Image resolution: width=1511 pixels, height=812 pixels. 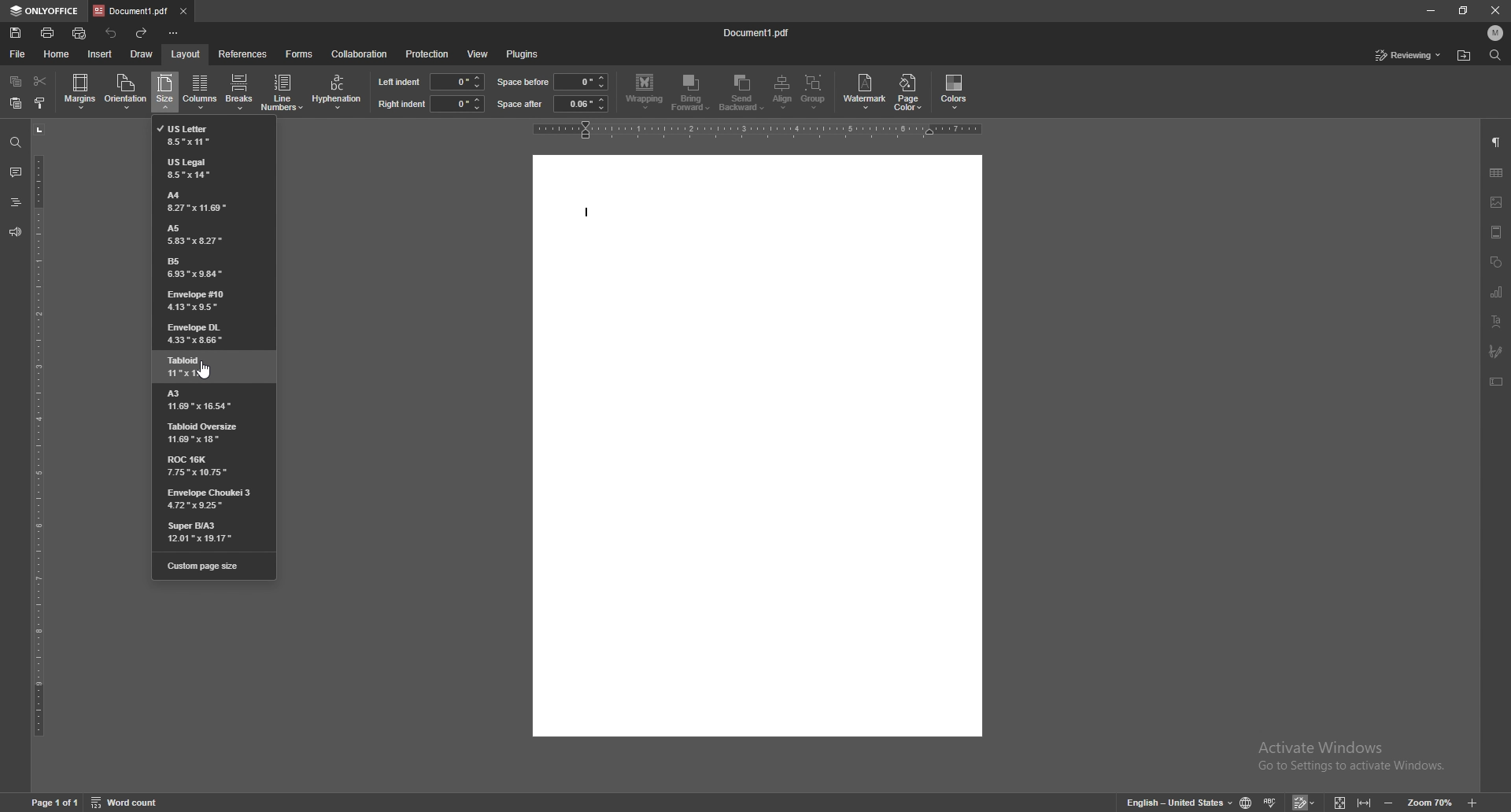 I want to click on fit to screen, so click(x=1340, y=802).